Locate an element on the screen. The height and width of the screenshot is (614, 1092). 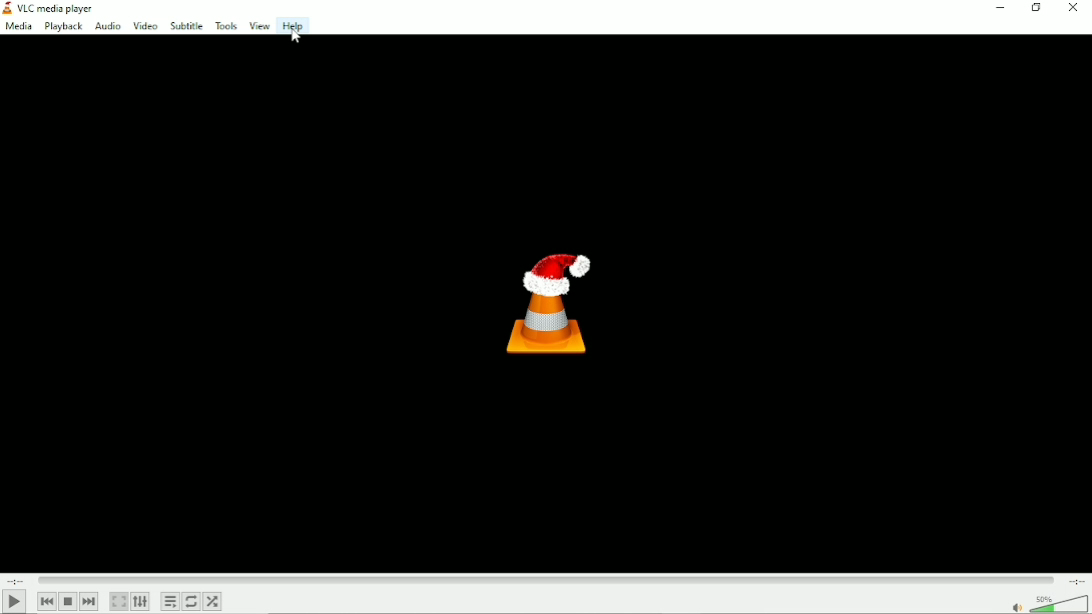
Toggle between loop all, loop one and no loop is located at coordinates (191, 601).